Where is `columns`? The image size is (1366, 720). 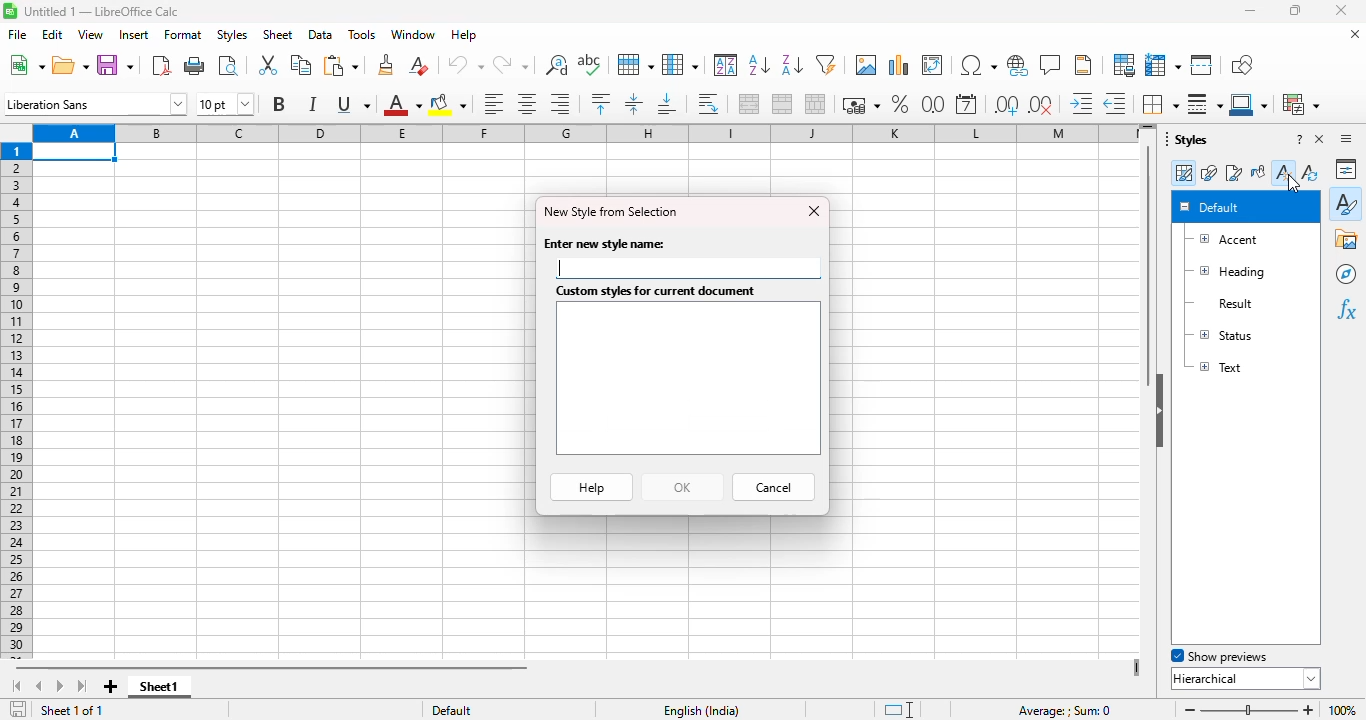 columns is located at coordinates (581, 133).